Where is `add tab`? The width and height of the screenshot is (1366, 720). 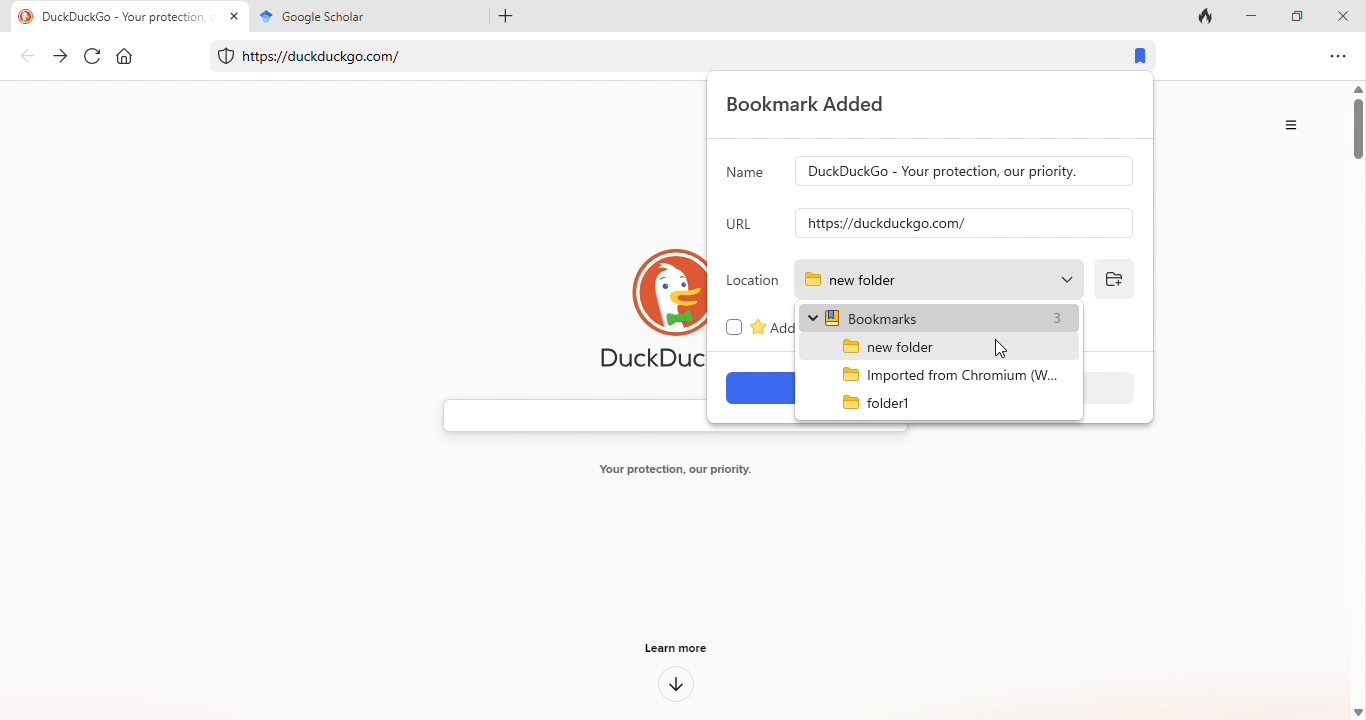
add tab is located at coordinates (501, 15).